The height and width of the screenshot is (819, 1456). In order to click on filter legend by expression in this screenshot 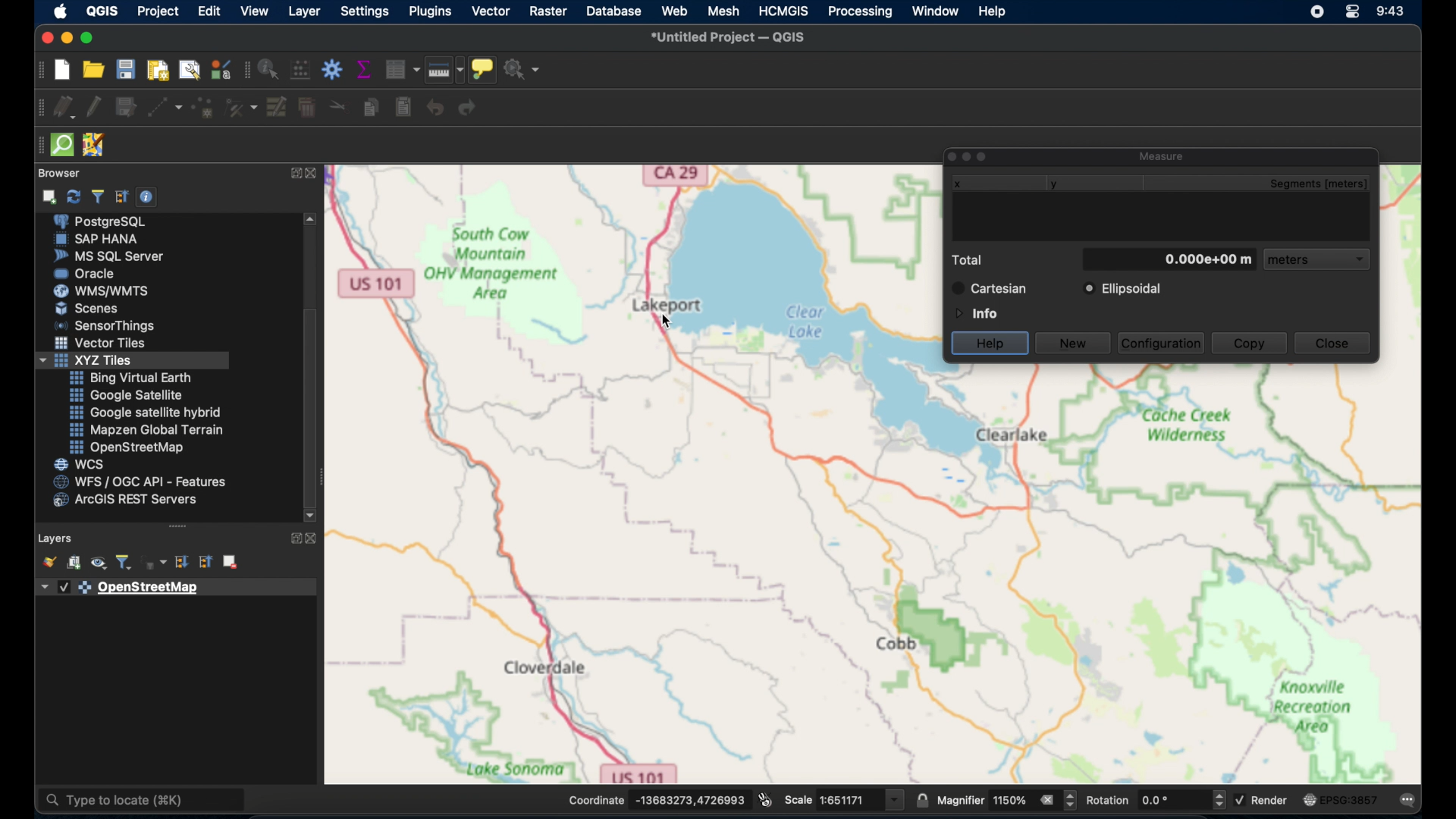, I will do `click(156, 563)`.